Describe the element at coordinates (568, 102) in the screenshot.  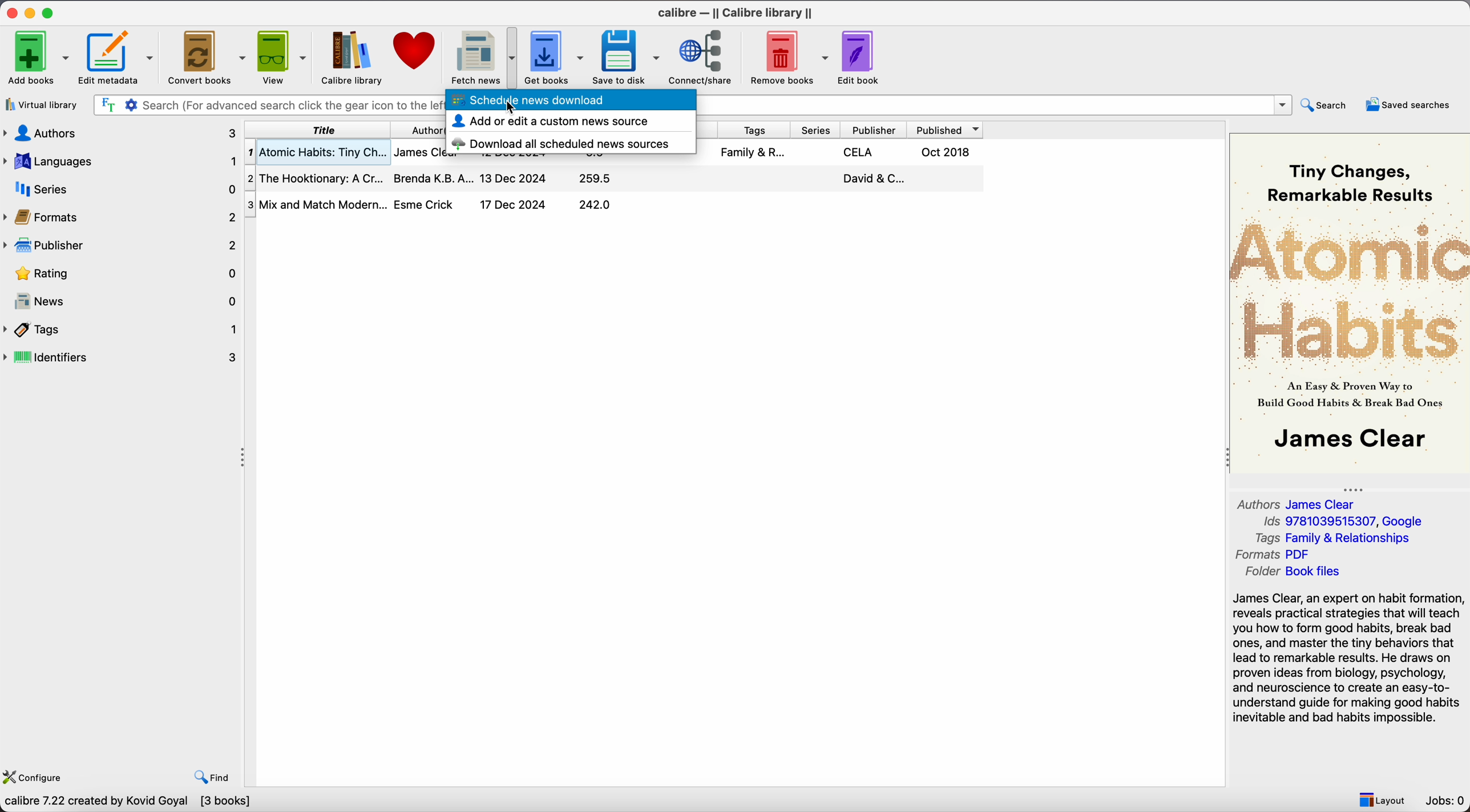
I see `schedule news download` at that location.